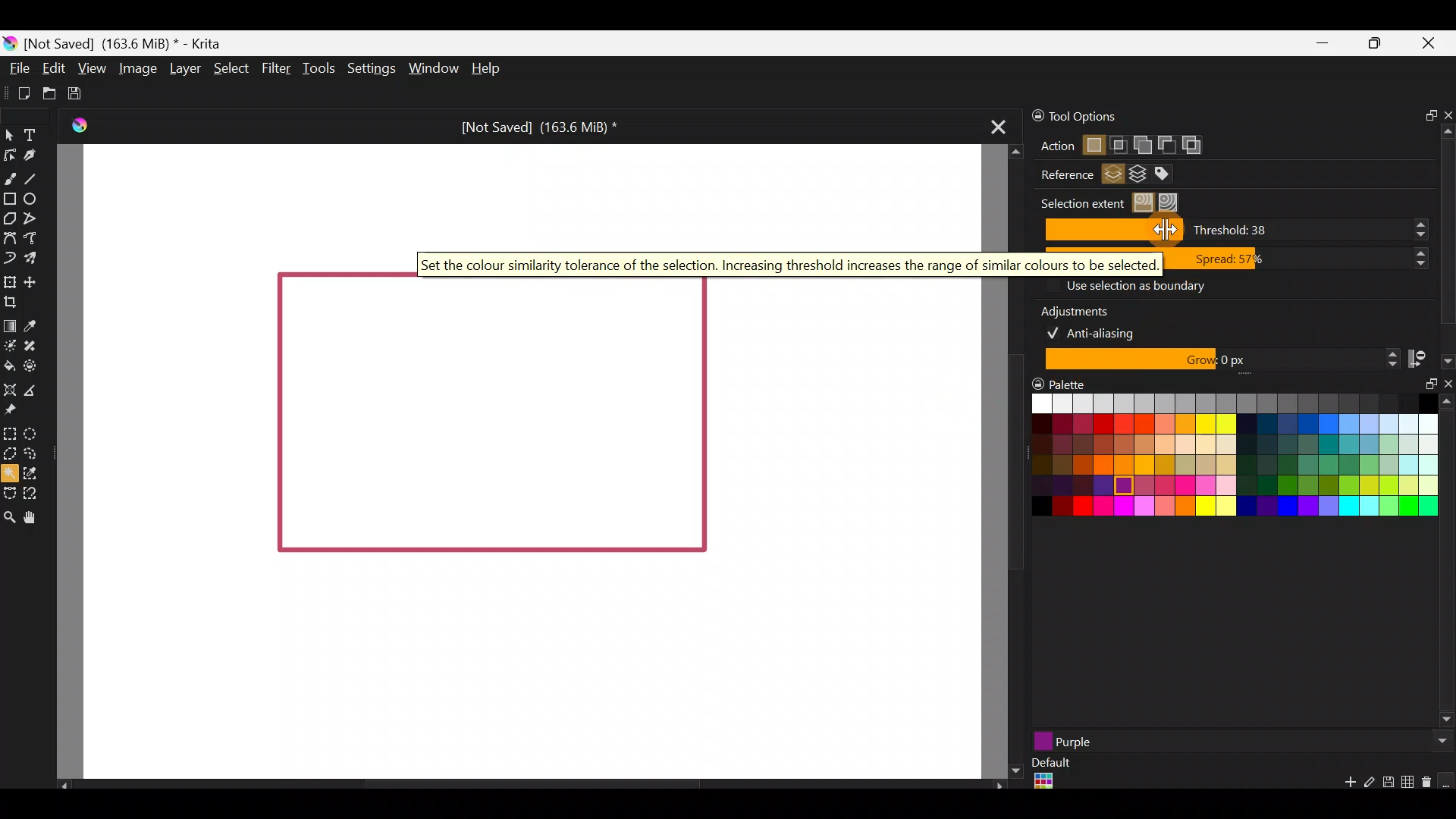 The height and width of the screenshot is (819, 1456). Describe the element at coordinates (10, 326) in the screenshot. I see `Draw a gradient` at that location.